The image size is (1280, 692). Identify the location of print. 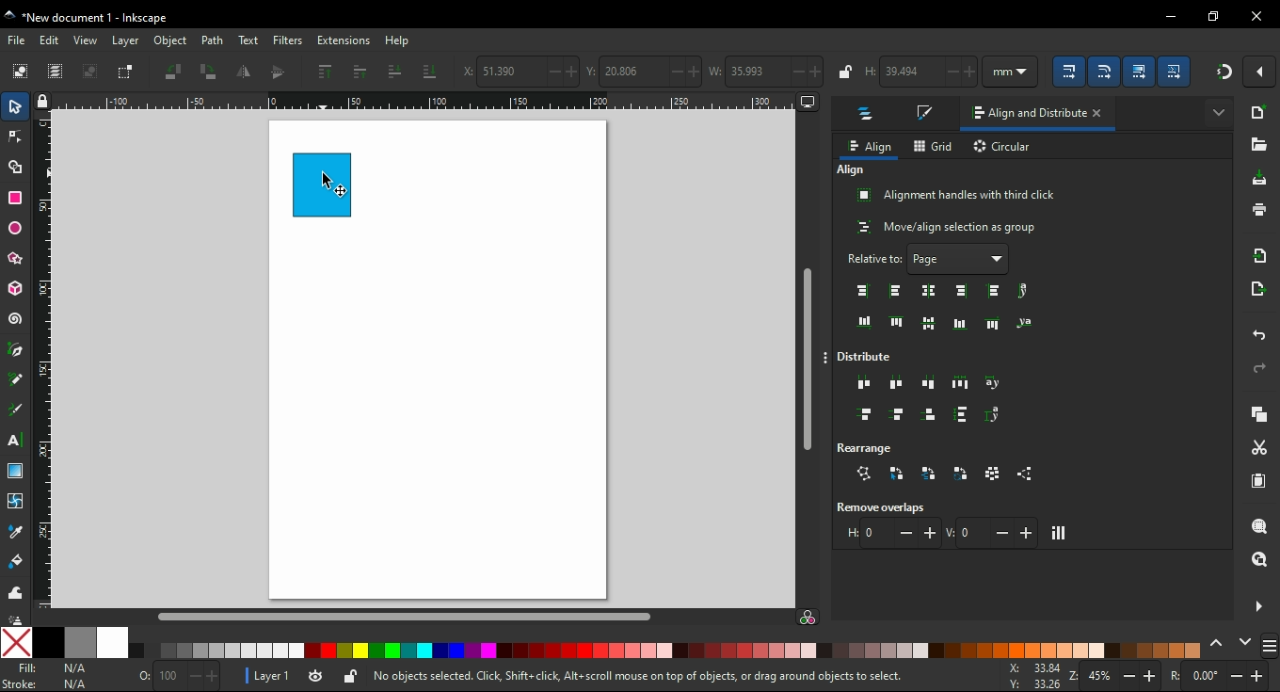
(1259, 210).